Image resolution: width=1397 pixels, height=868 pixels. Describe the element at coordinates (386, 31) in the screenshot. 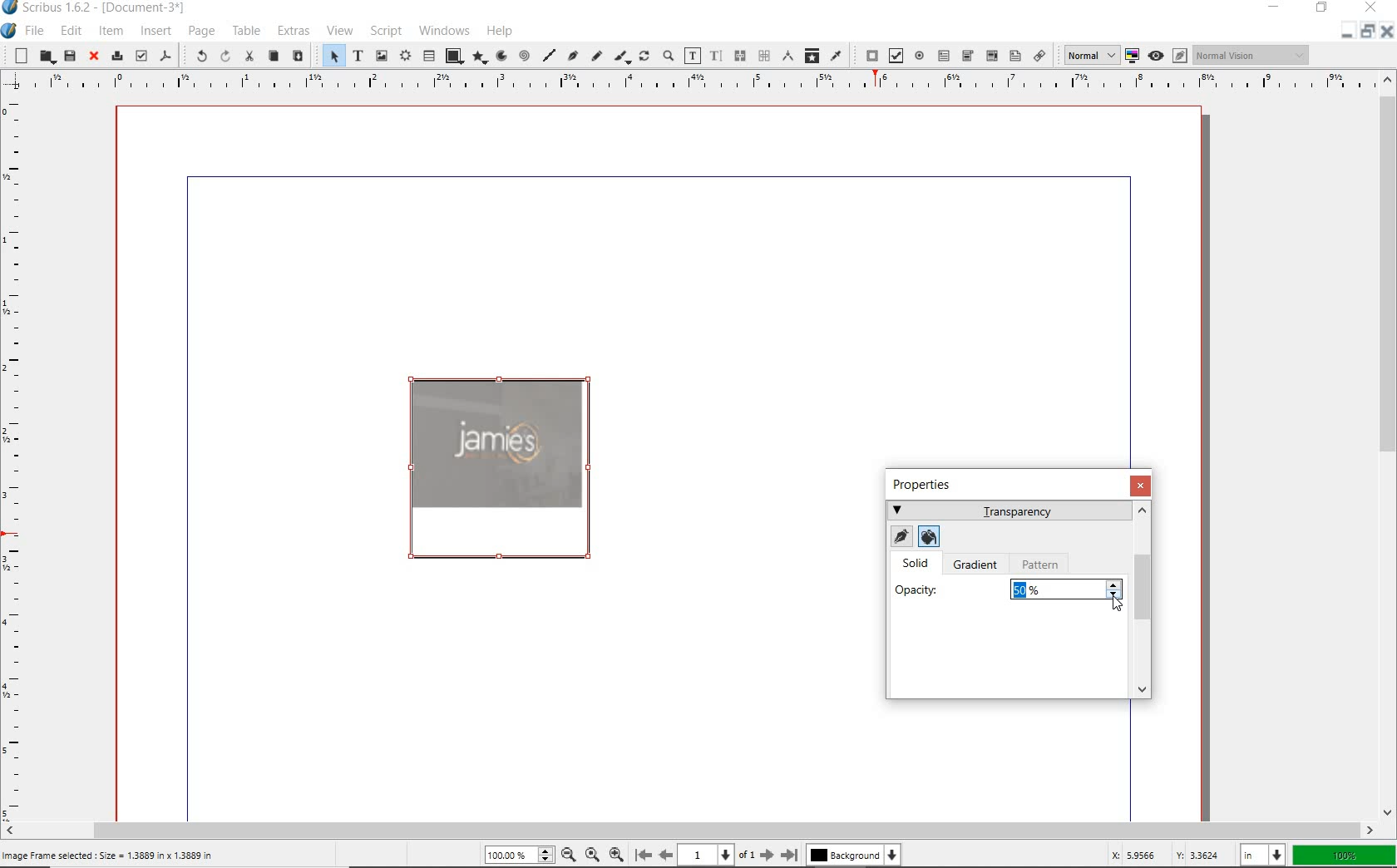

I see `SCRIPT` at that location.